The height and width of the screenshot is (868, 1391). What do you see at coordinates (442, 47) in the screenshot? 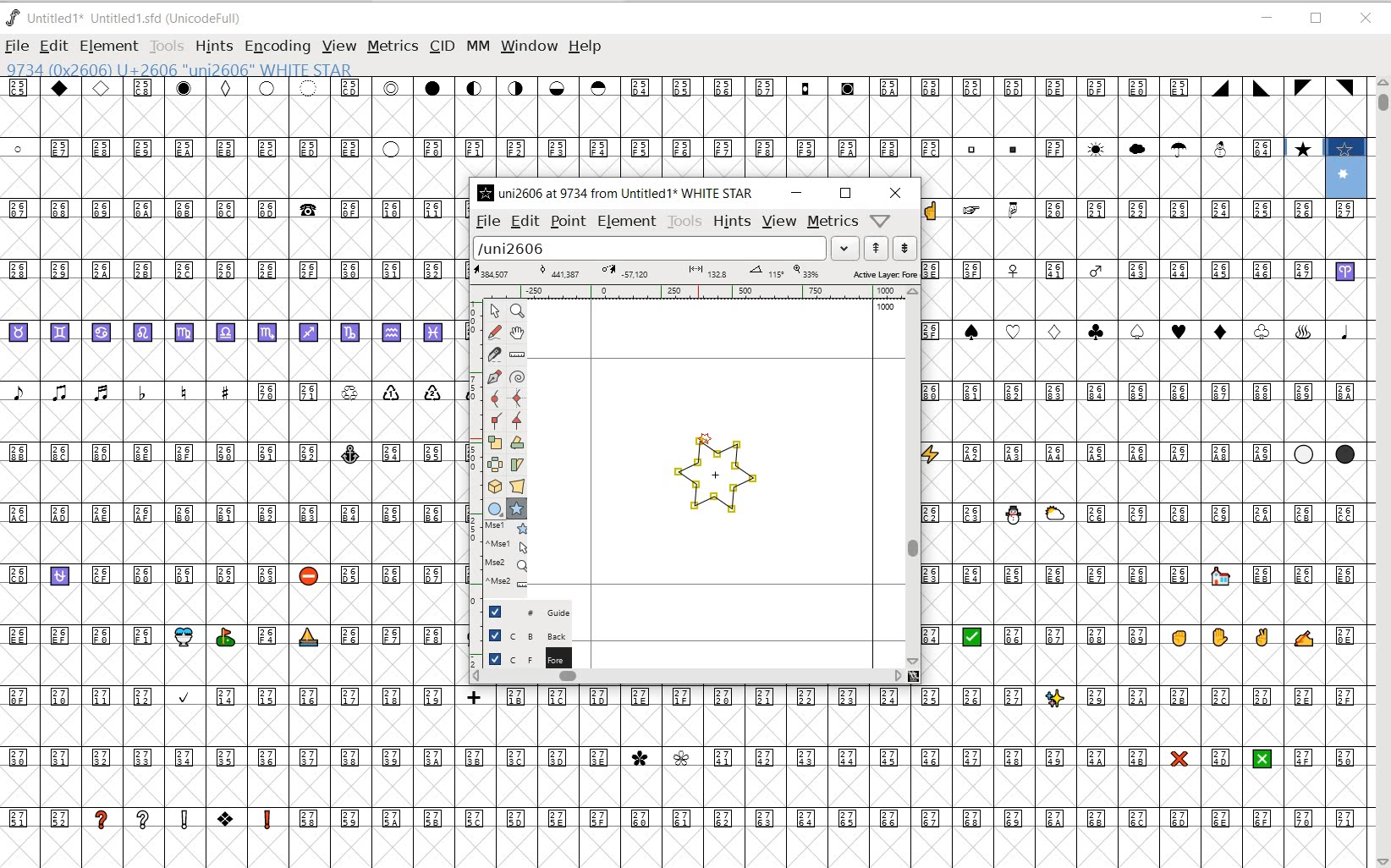
I see `CID` at bounding box center [442, 47].